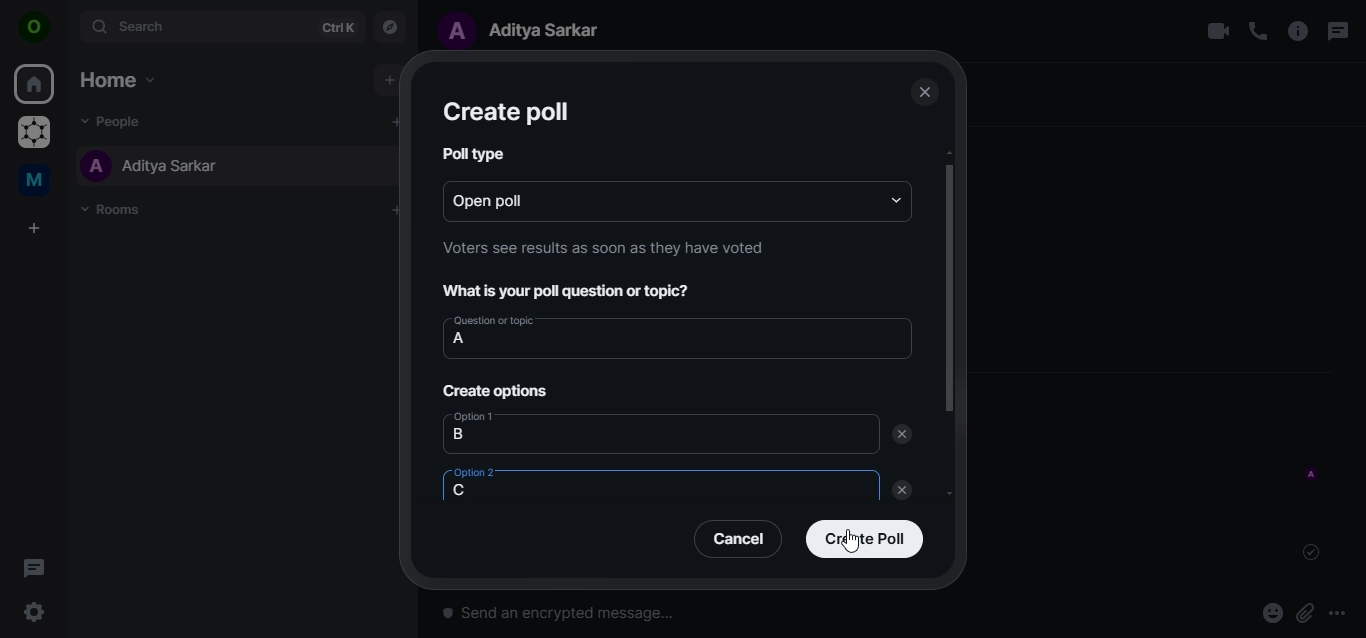  I want to click on room options, so click(1299, 33).